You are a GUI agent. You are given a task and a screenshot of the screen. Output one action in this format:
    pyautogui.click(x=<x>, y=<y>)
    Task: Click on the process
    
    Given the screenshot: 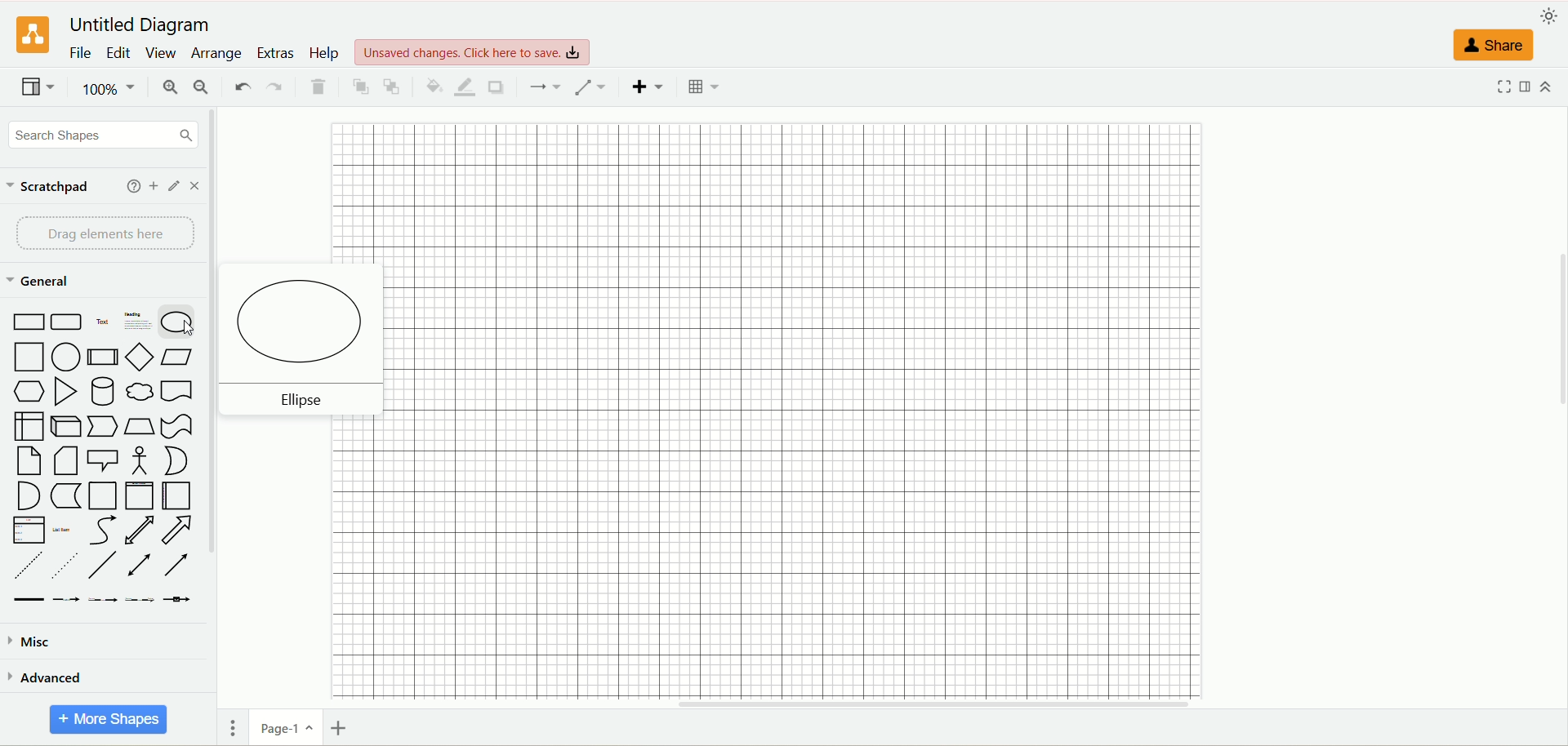 What is the action you would take?
    pyautogui.click(x=103, y=357)
    